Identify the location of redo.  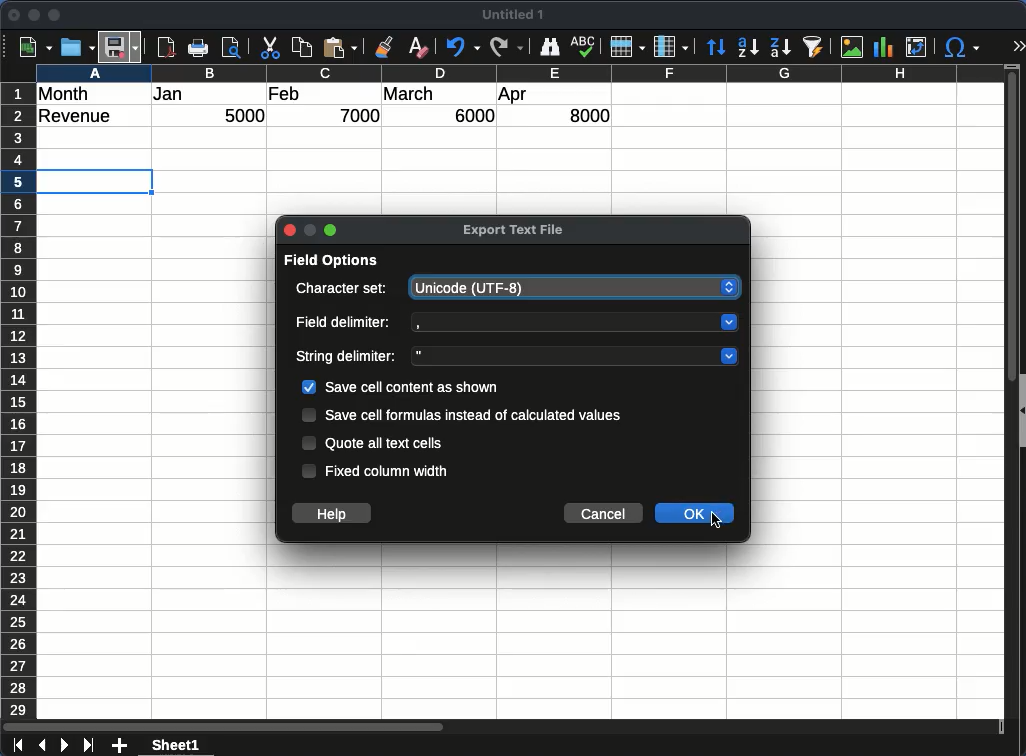
(505, 47).